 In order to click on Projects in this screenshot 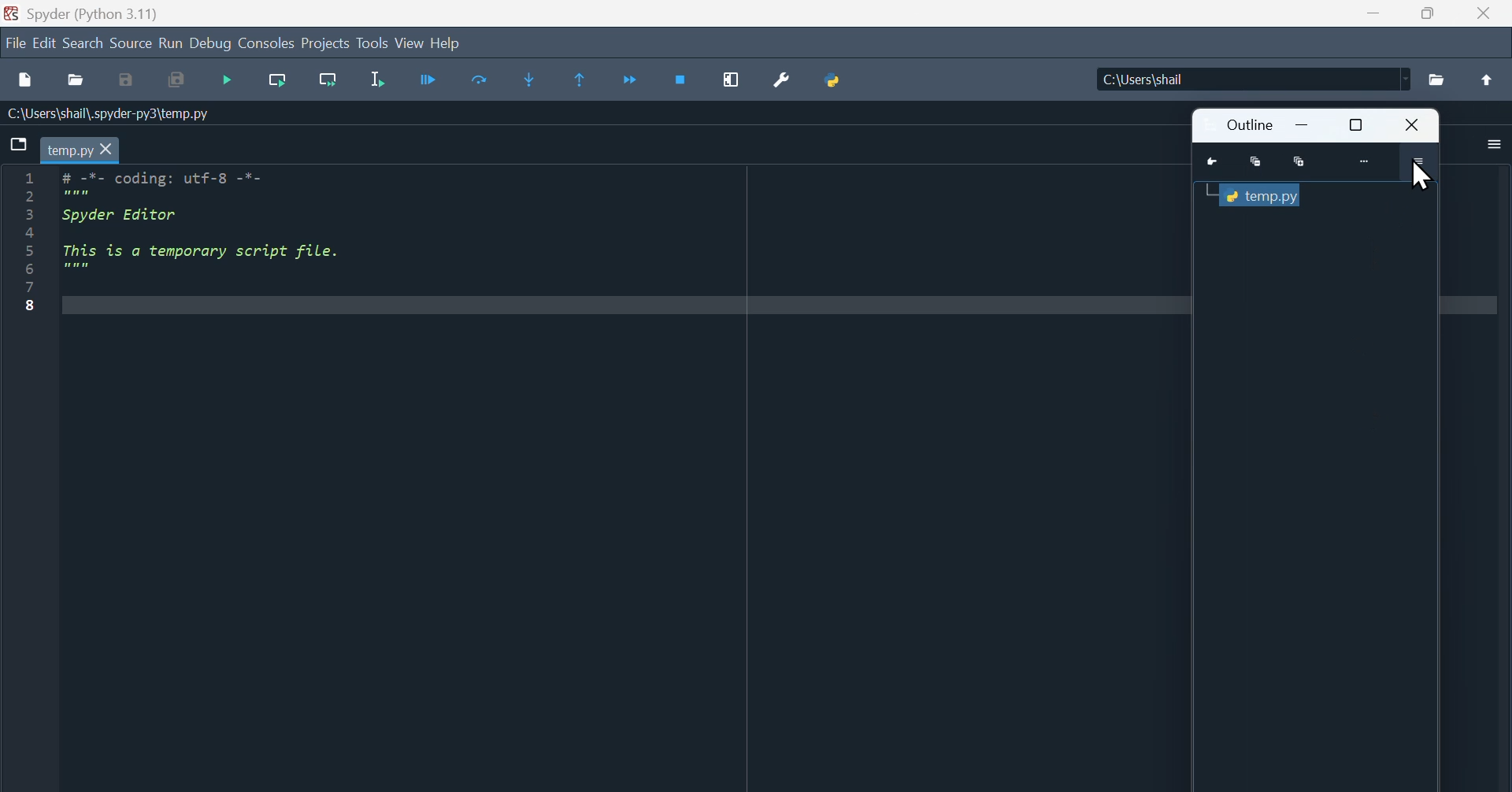, I will do `click(326, 41)`.